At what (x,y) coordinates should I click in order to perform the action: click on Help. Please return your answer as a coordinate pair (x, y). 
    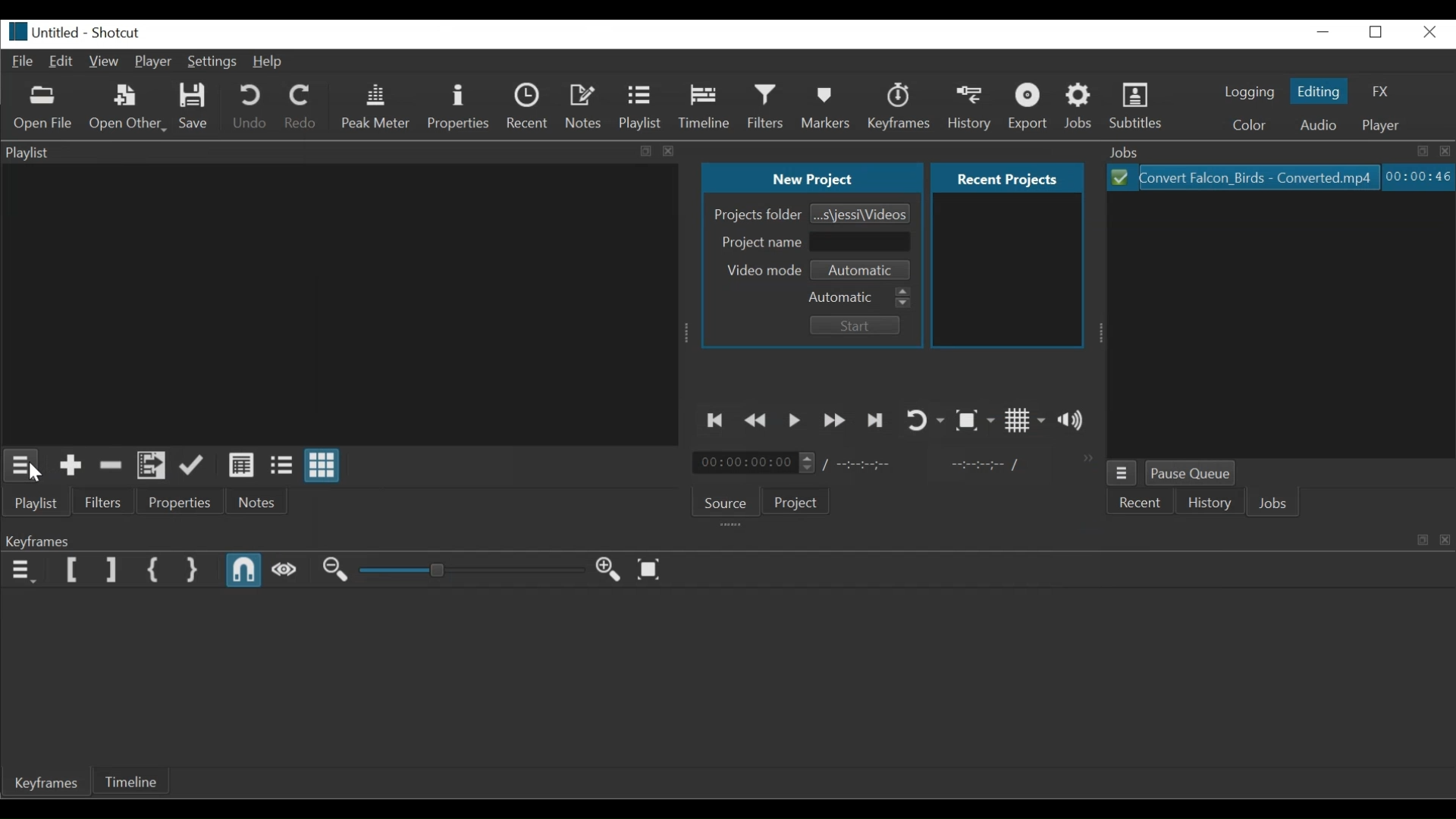
    Looking at the image, I should click on (269, 62).